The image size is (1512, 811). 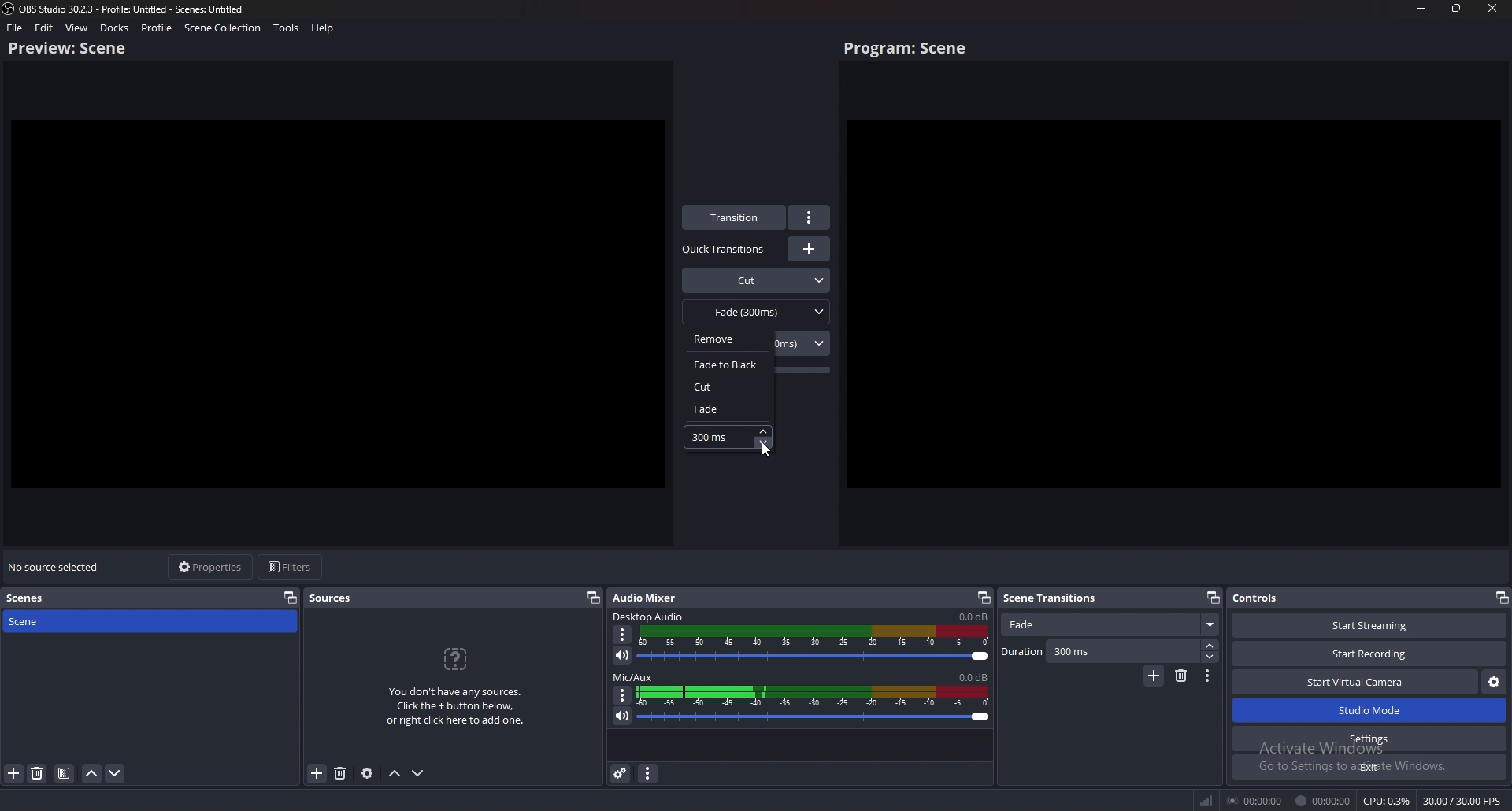 I want to click on Cut, so click(x=757, y=279).